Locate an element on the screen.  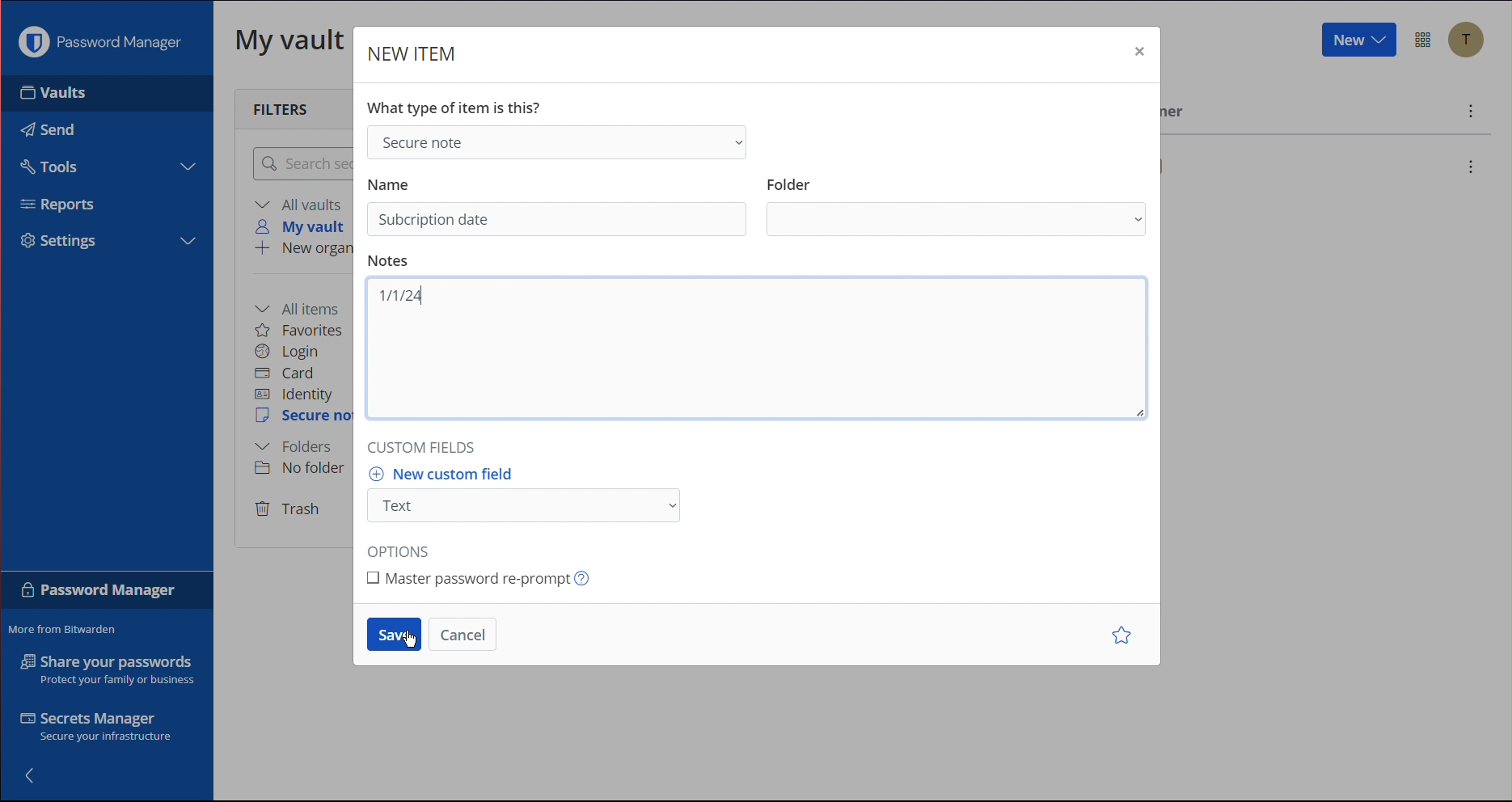
New custom field is located at coordinates (450, 474).